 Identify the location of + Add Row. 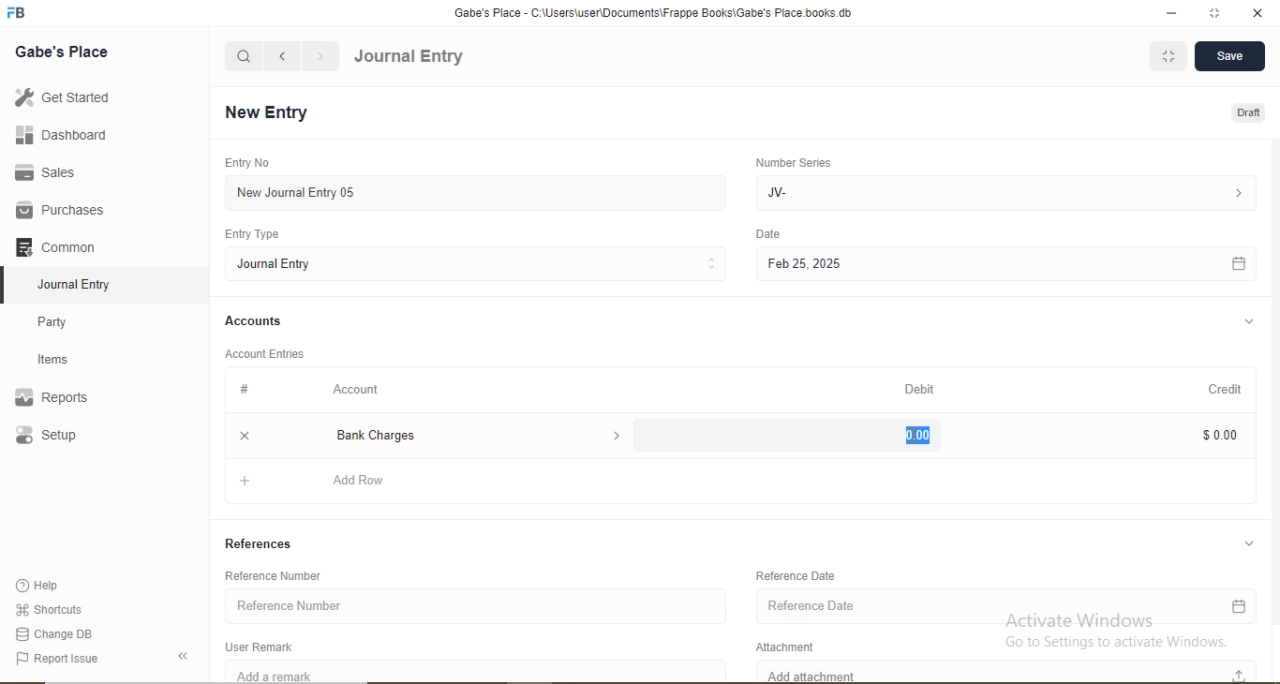
(743, 484).